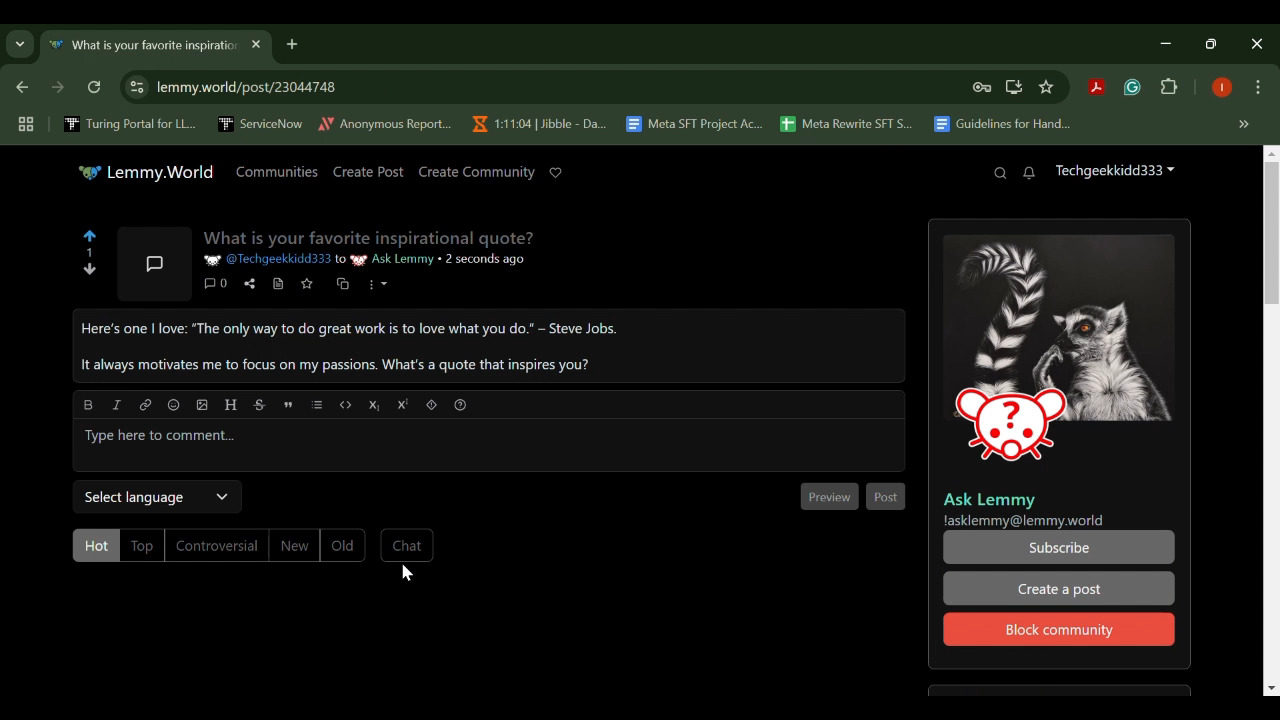  What do you see at coordinates (475, 172) in the screenshot?
I see `Create Community` at bounding box center [475, 172].